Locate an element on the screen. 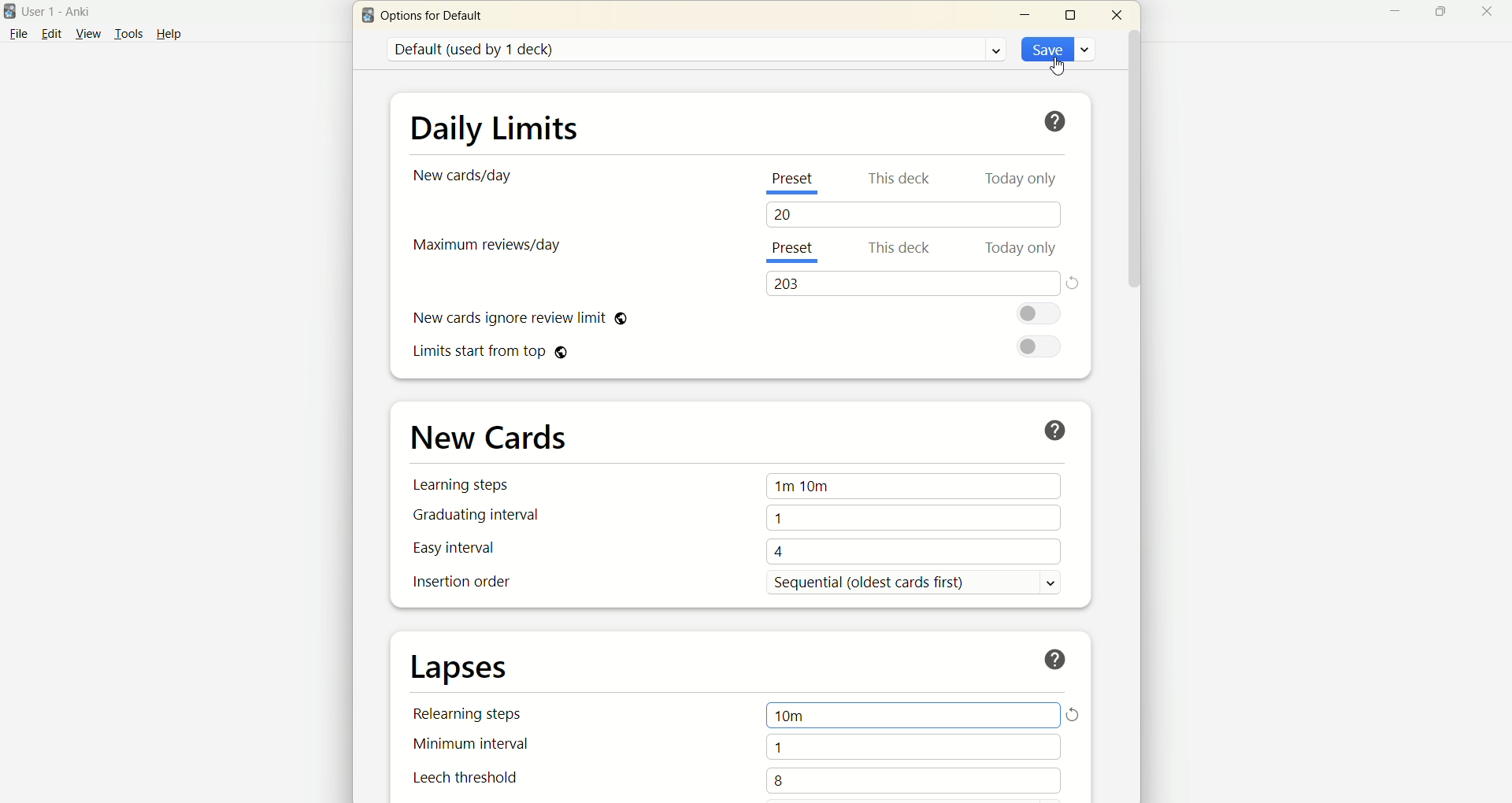 This screenshot has height=803, width=1512. 8 is located at coordinates (915, 781).